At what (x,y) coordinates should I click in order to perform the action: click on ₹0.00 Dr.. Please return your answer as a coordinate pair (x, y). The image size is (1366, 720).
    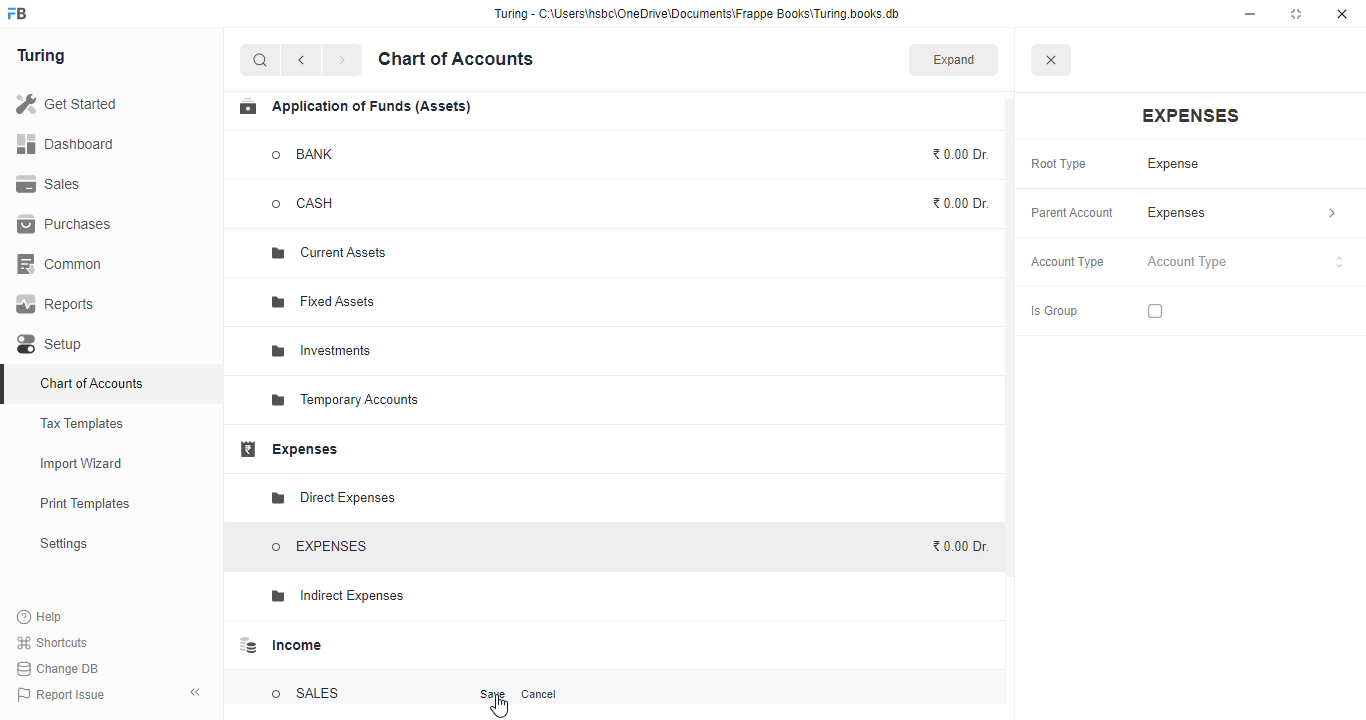
    Looking at the image, I should click on (961, 154).